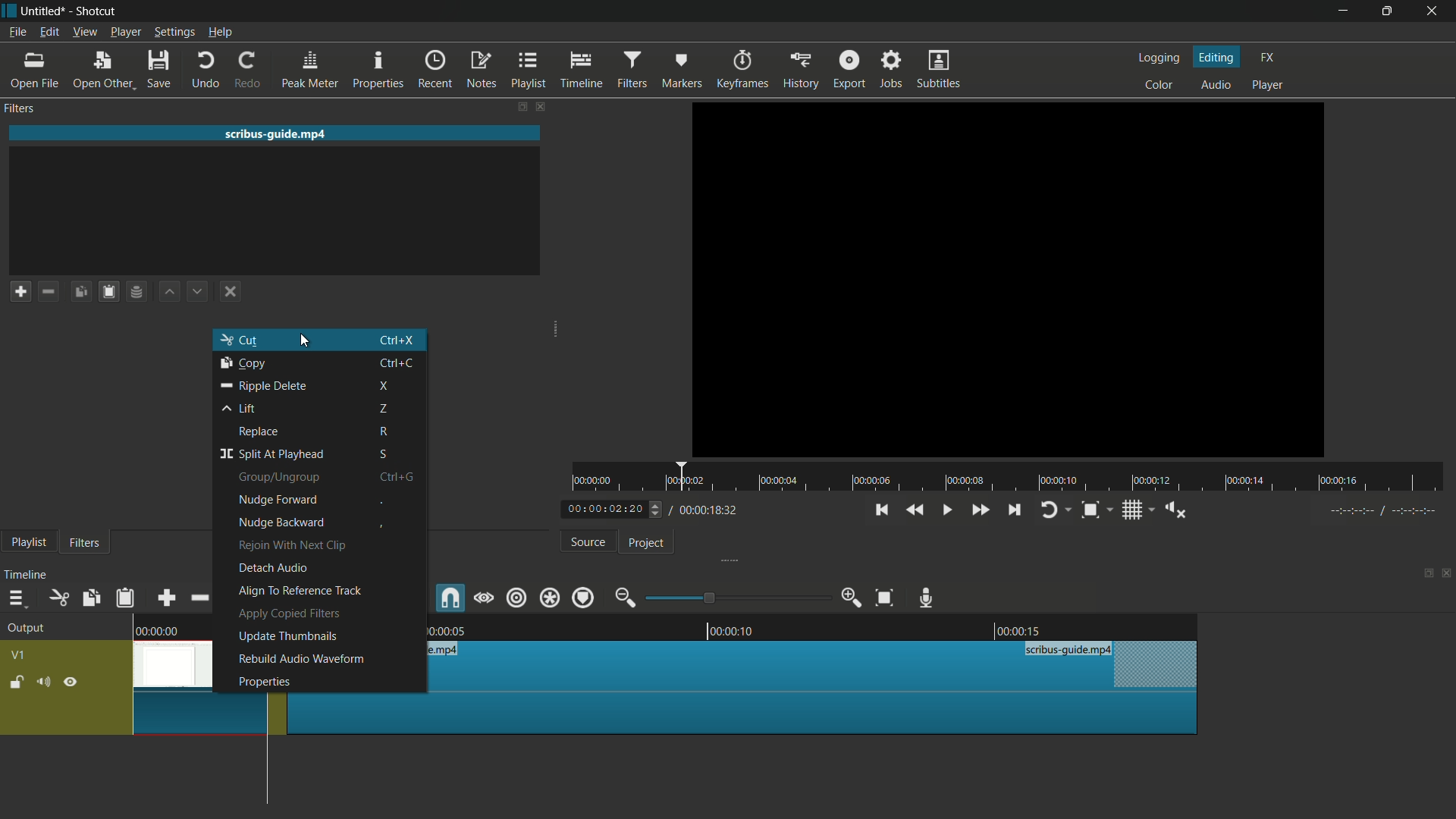 Image resolution: width=1456 pixels, height=819 pixels. What do you see at coordinates (380, 527) in the screenshot?
I see `keyboard shortcut` at bounding box center [380, 527].